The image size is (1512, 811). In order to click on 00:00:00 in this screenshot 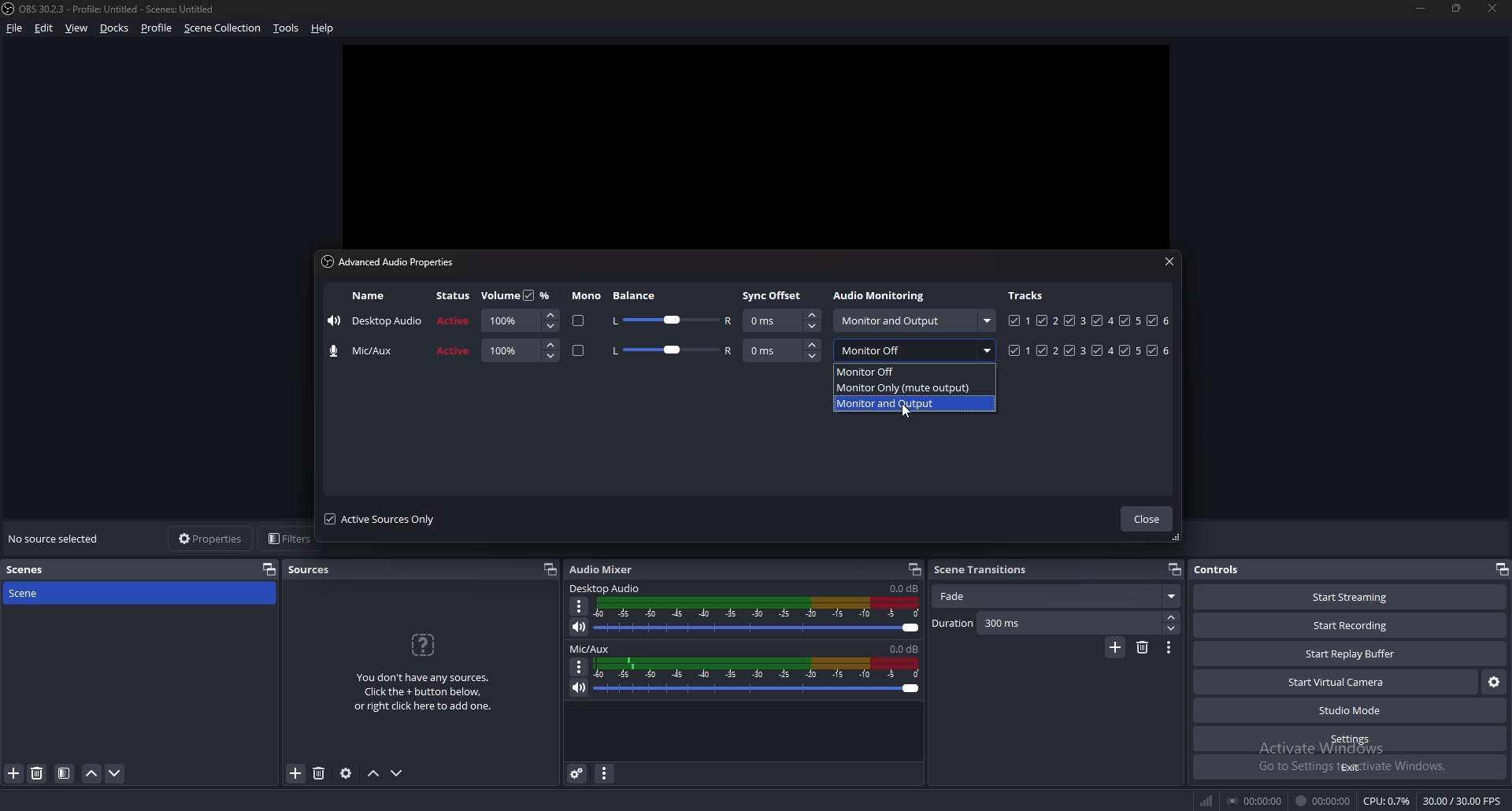, I will do `click(1255, 802)`.